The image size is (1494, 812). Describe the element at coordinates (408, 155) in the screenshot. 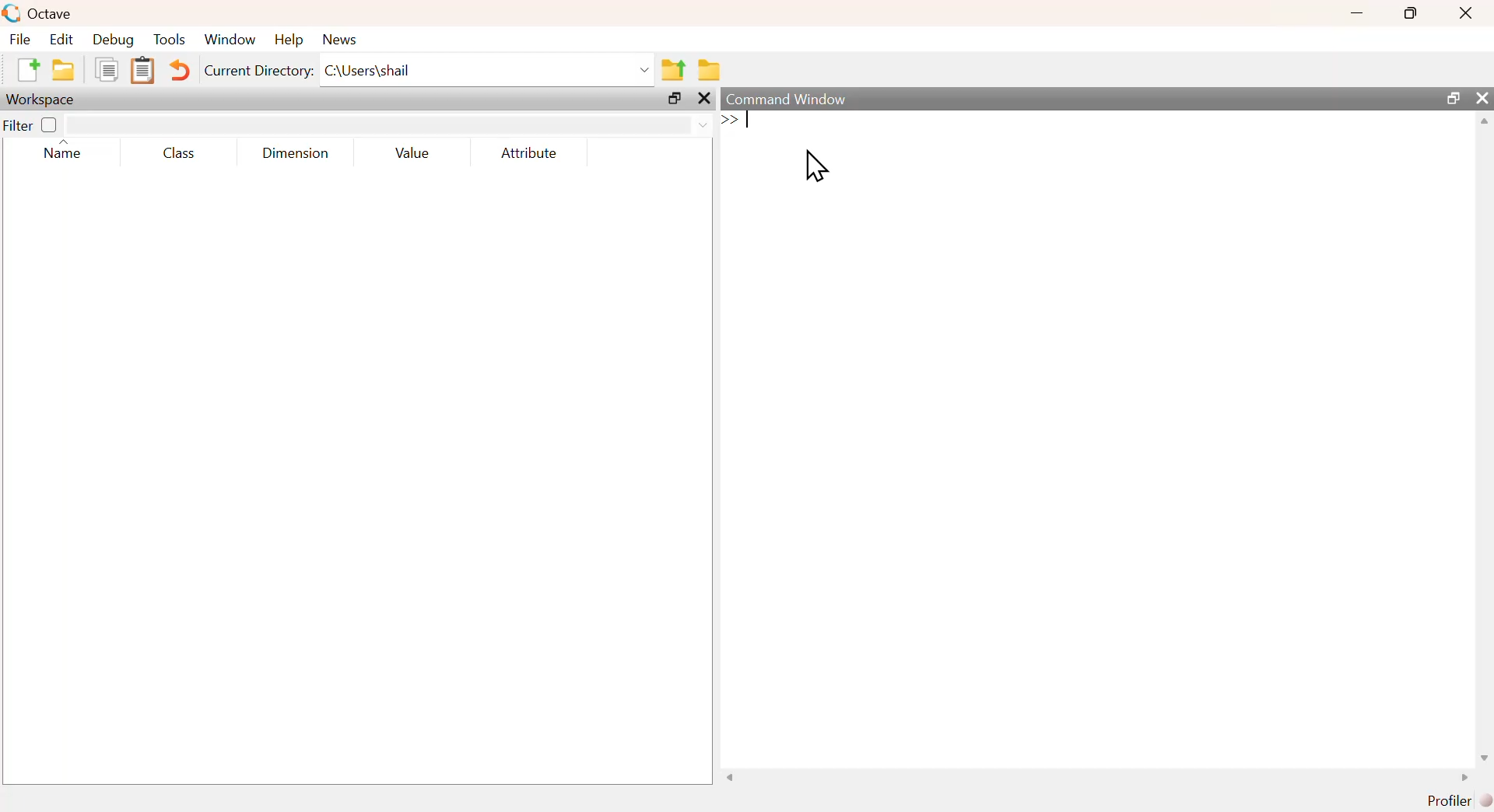

I see `value` at that location.